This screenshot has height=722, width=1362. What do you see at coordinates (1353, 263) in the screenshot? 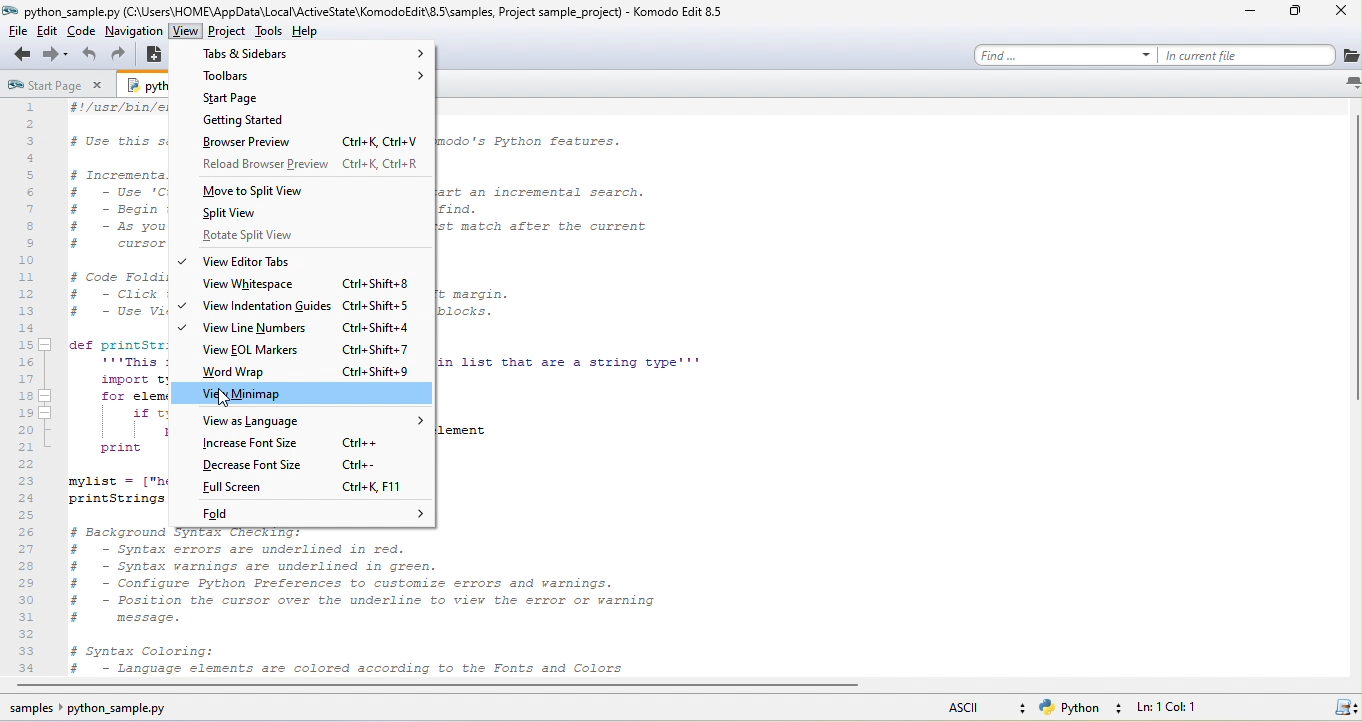
I see `vertical scroll bar` at bounding box center [1353, 263].